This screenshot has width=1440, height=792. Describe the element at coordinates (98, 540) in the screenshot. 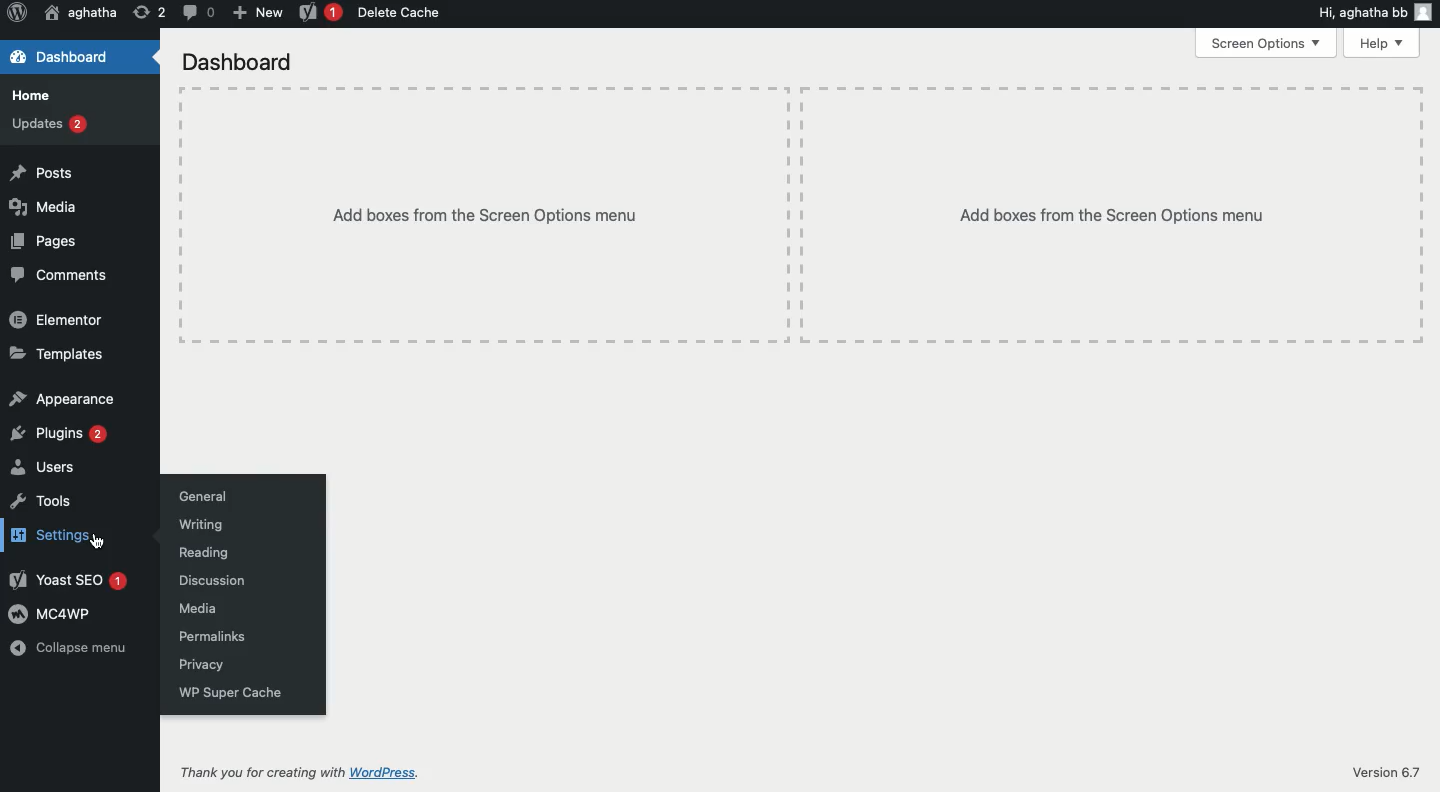

I see `Cursor` at that location.